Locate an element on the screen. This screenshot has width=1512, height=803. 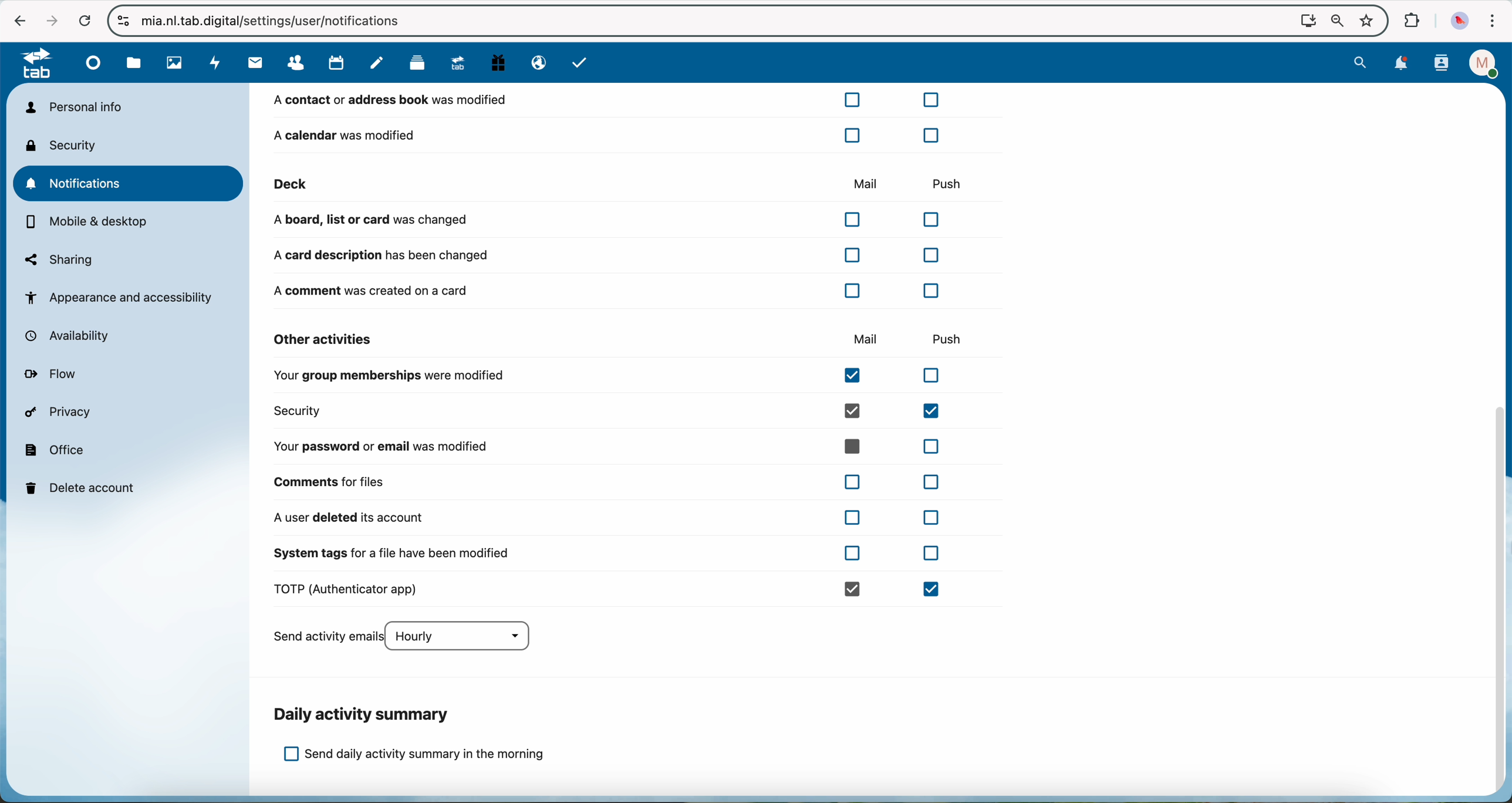
customize and control Google Chrome is located at coordinates (1494, 21).